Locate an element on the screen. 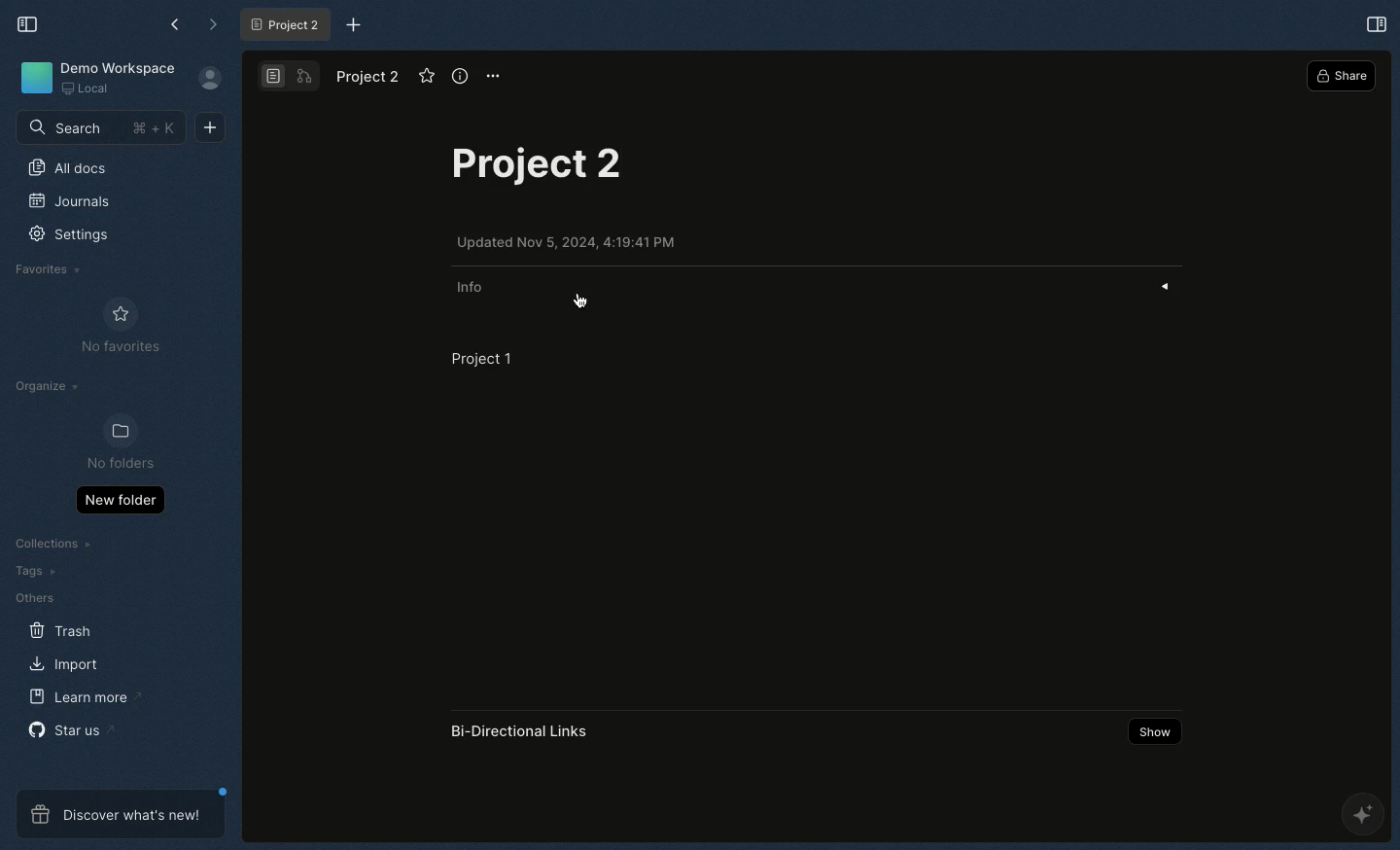  Import is located at coordinates (60, 661).